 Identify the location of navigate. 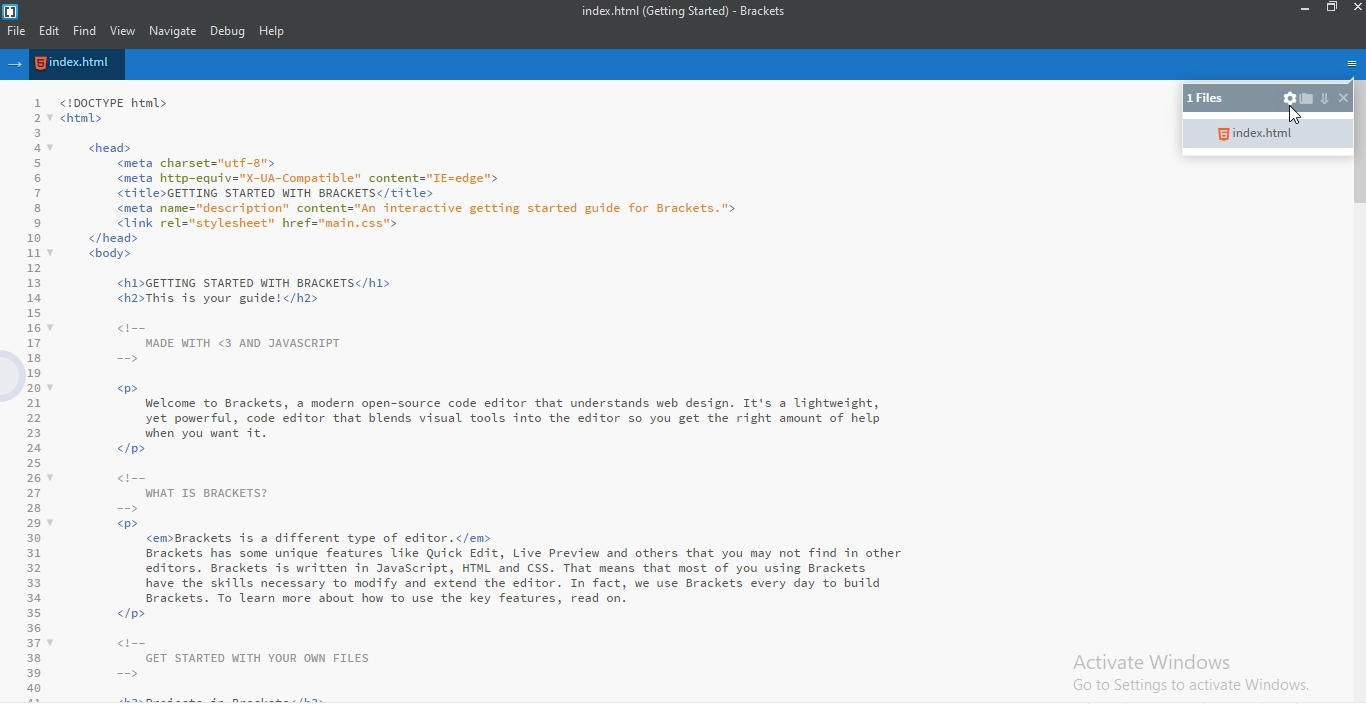
(174, 31).